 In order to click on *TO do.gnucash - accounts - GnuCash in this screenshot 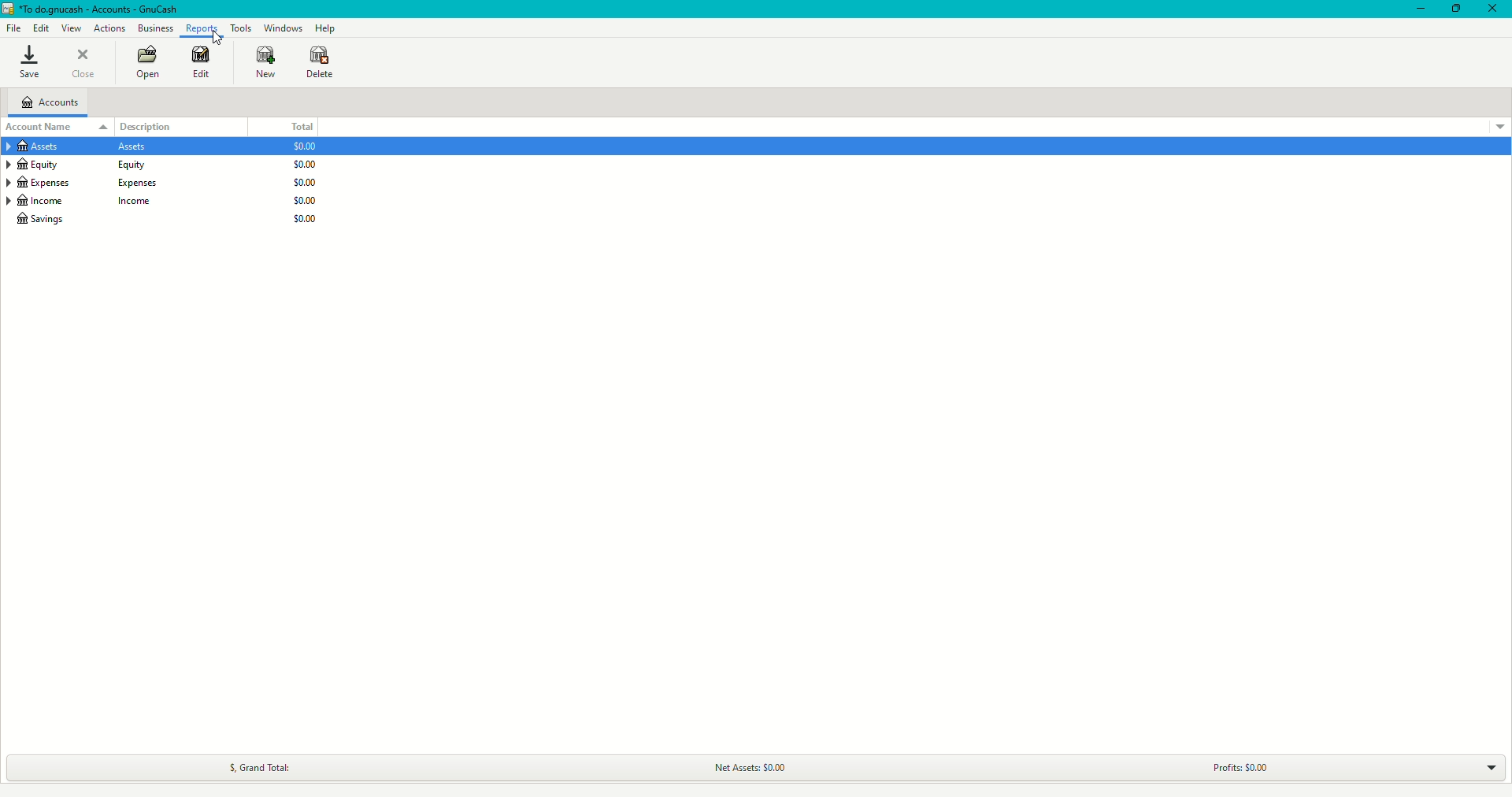, I will do `click(103, 9)`.